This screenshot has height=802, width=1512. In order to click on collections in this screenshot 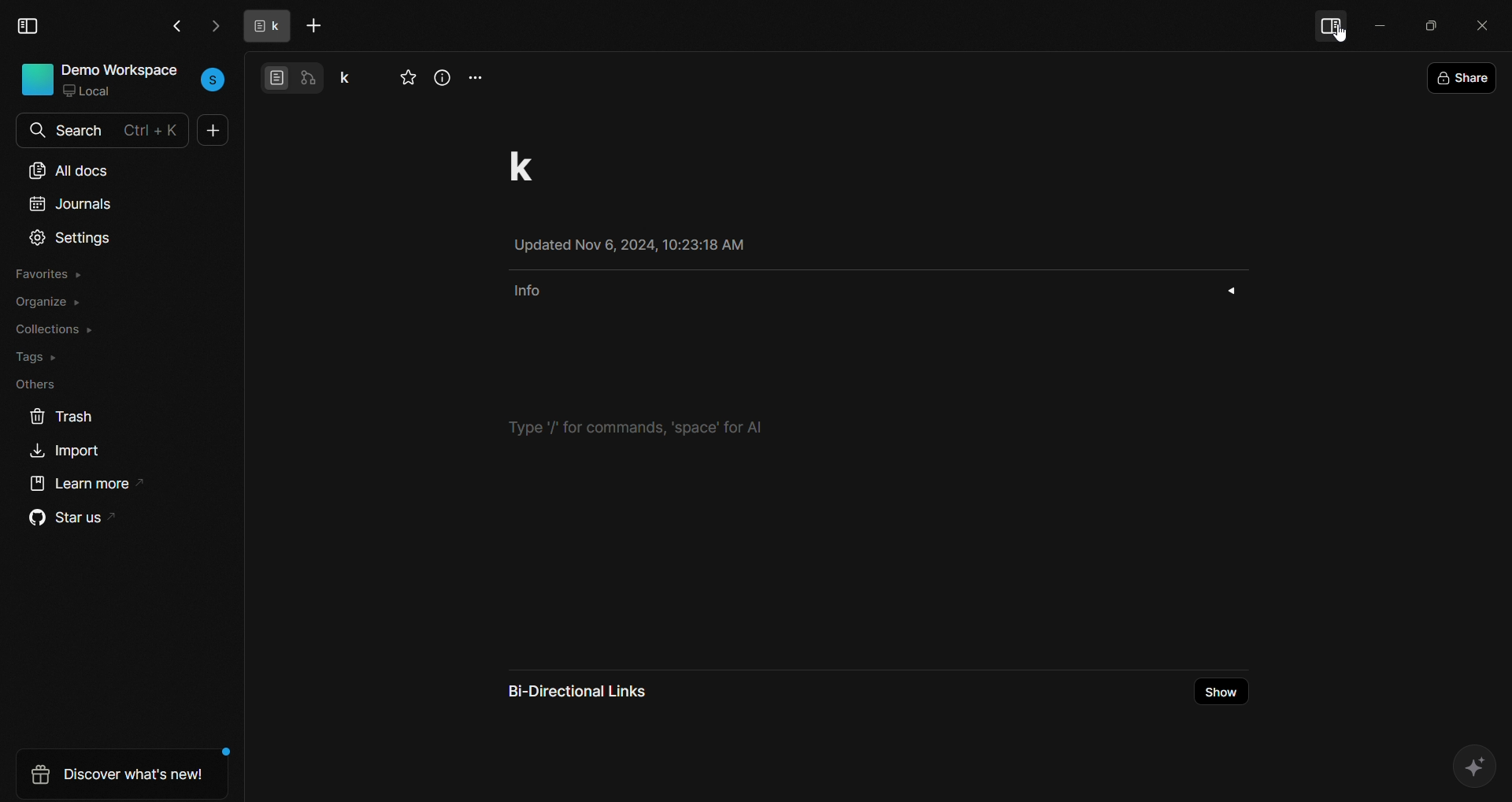, I will do `click(55, 329)`.